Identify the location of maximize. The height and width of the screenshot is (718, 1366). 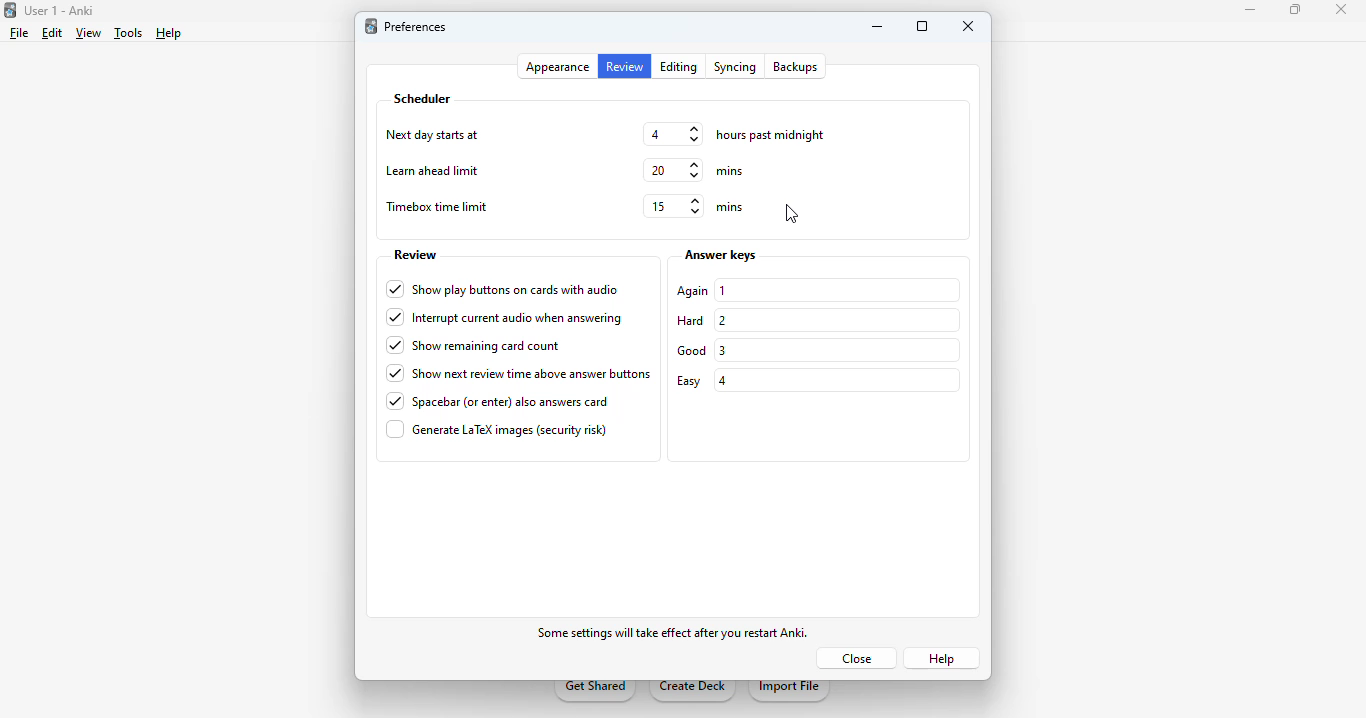
(923, 26).